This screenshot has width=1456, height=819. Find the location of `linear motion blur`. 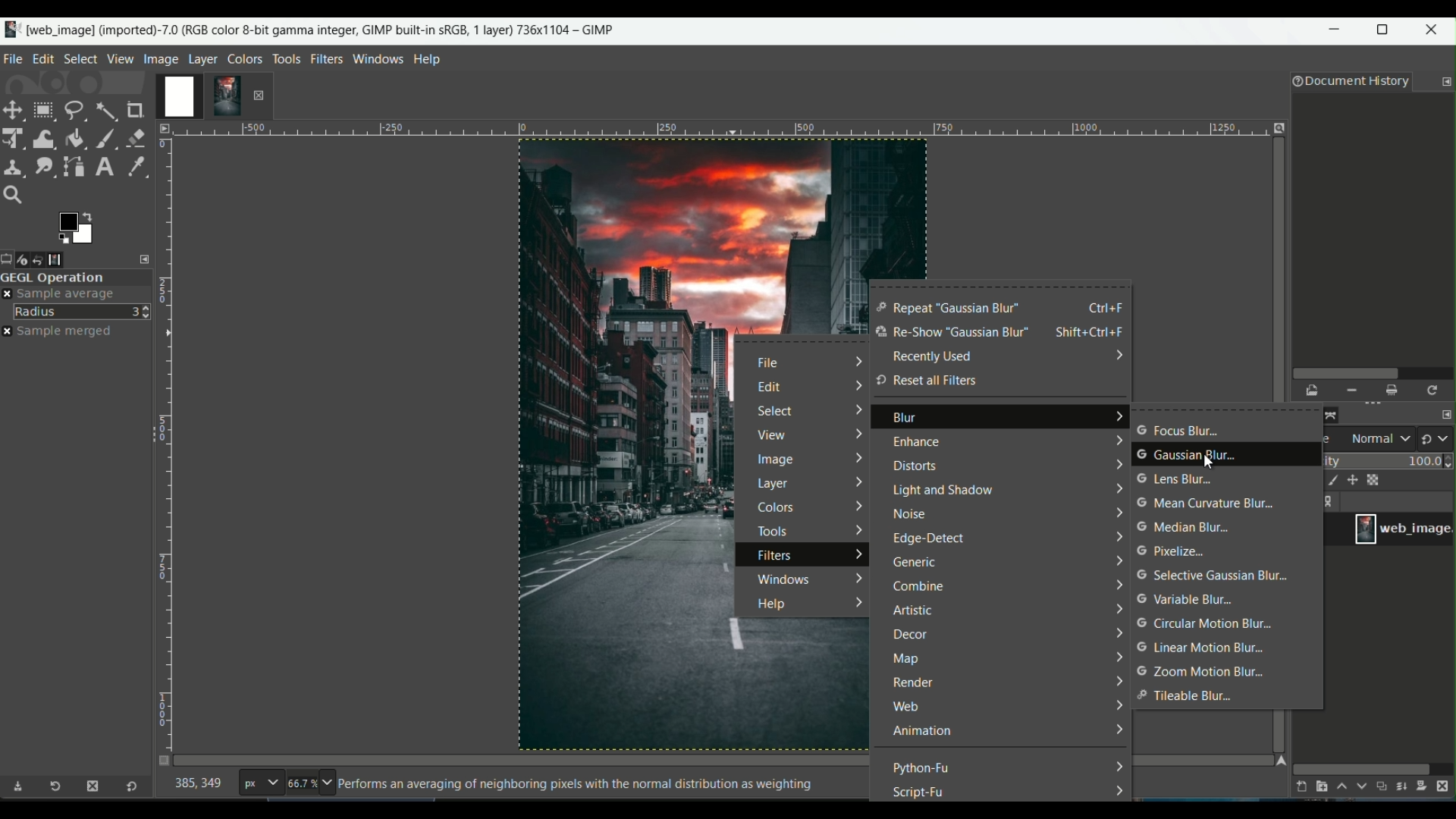

linear motion blur is located at coordinates (1200, 648).